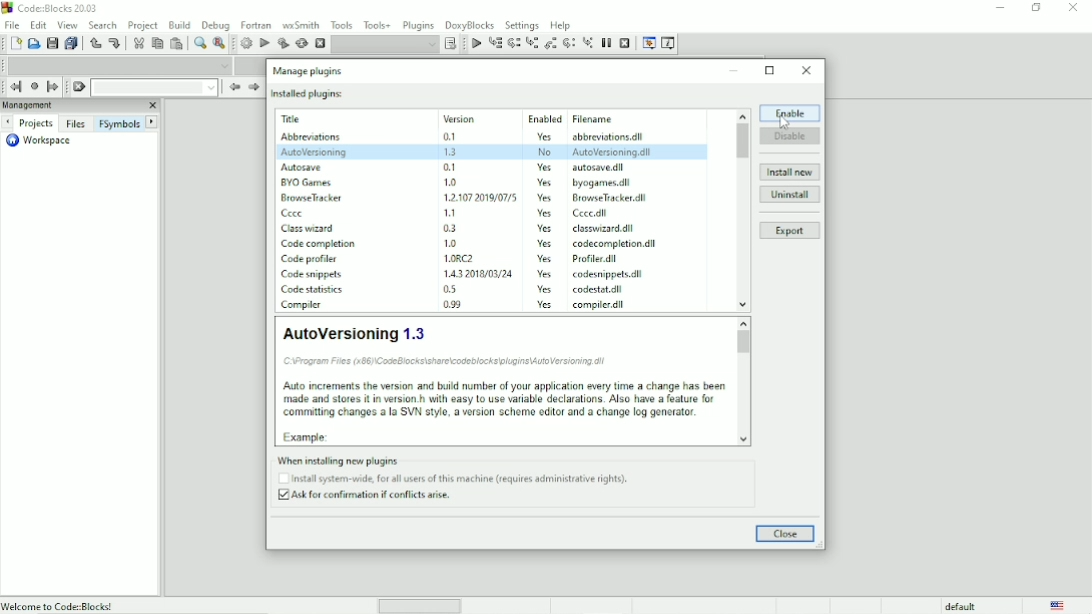  I want to click on Abort, so click(319, 43).